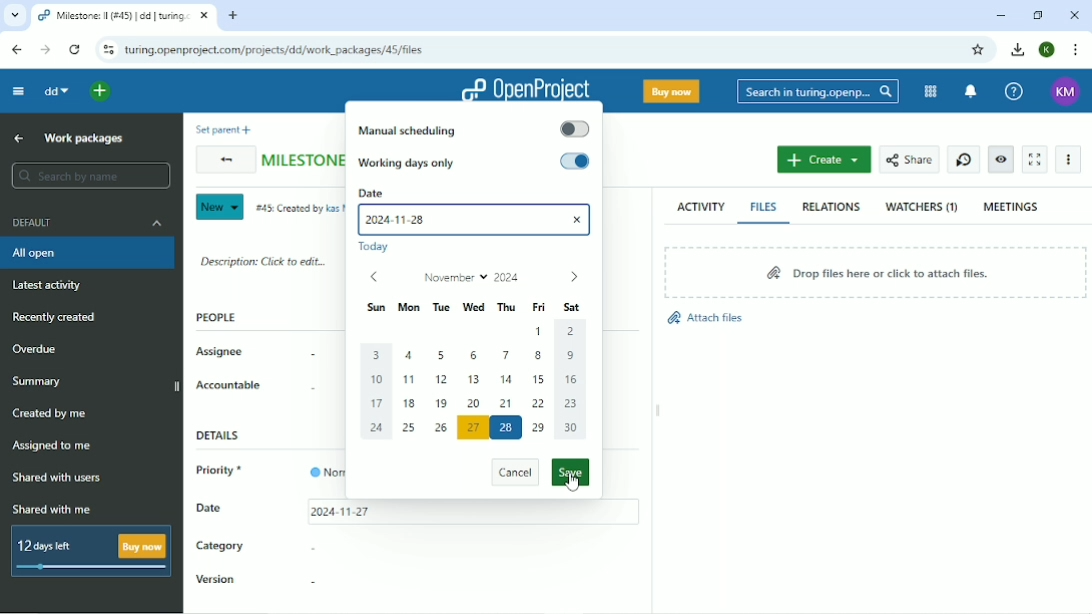 This screenshot has height=614, width=1092. I want to click on Unwatch work package, so click(1000, 160).